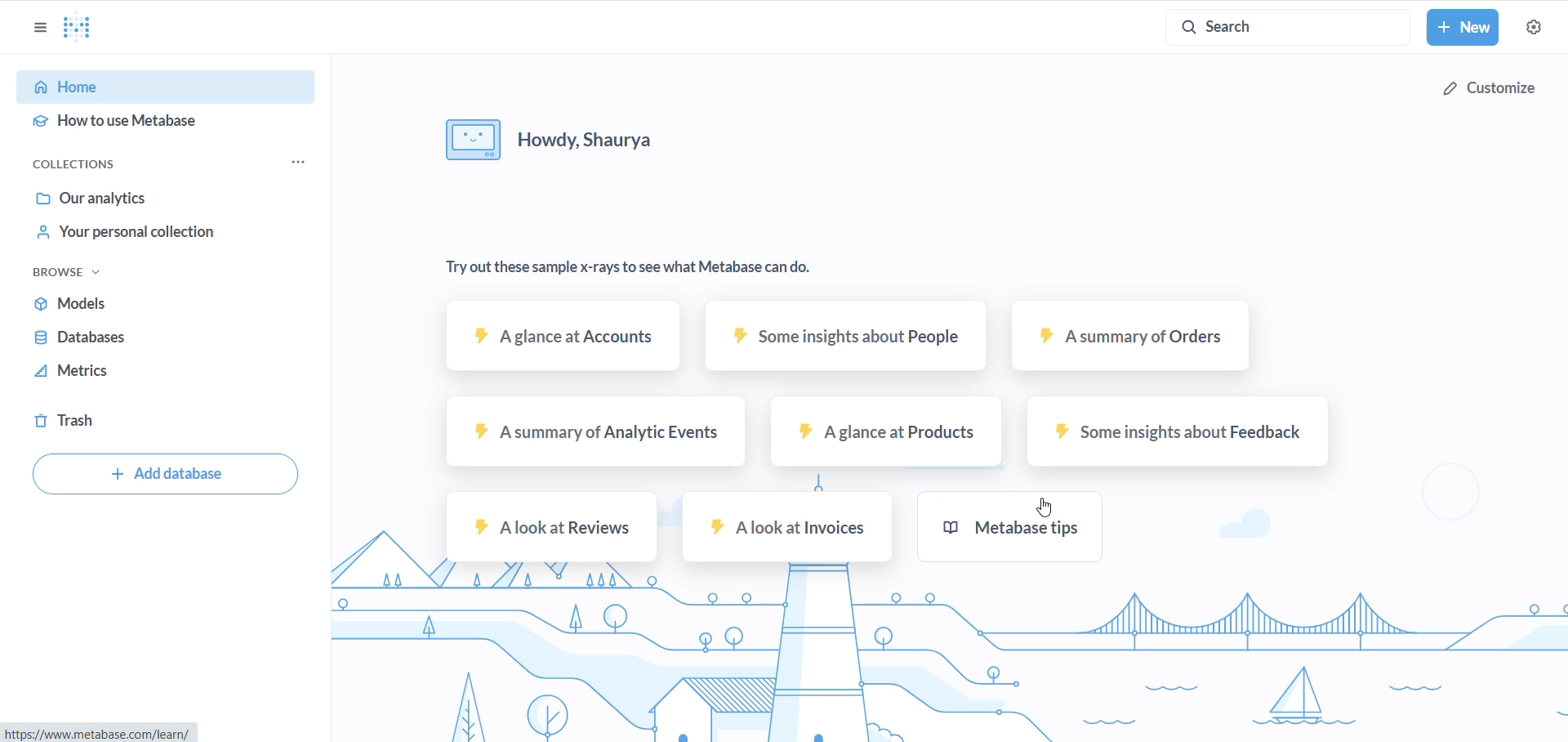 The width and height of the screenshot is (1568, 742). Describe the element at coordinates (91, 422) in the screenshot. I see `trash` at that location.